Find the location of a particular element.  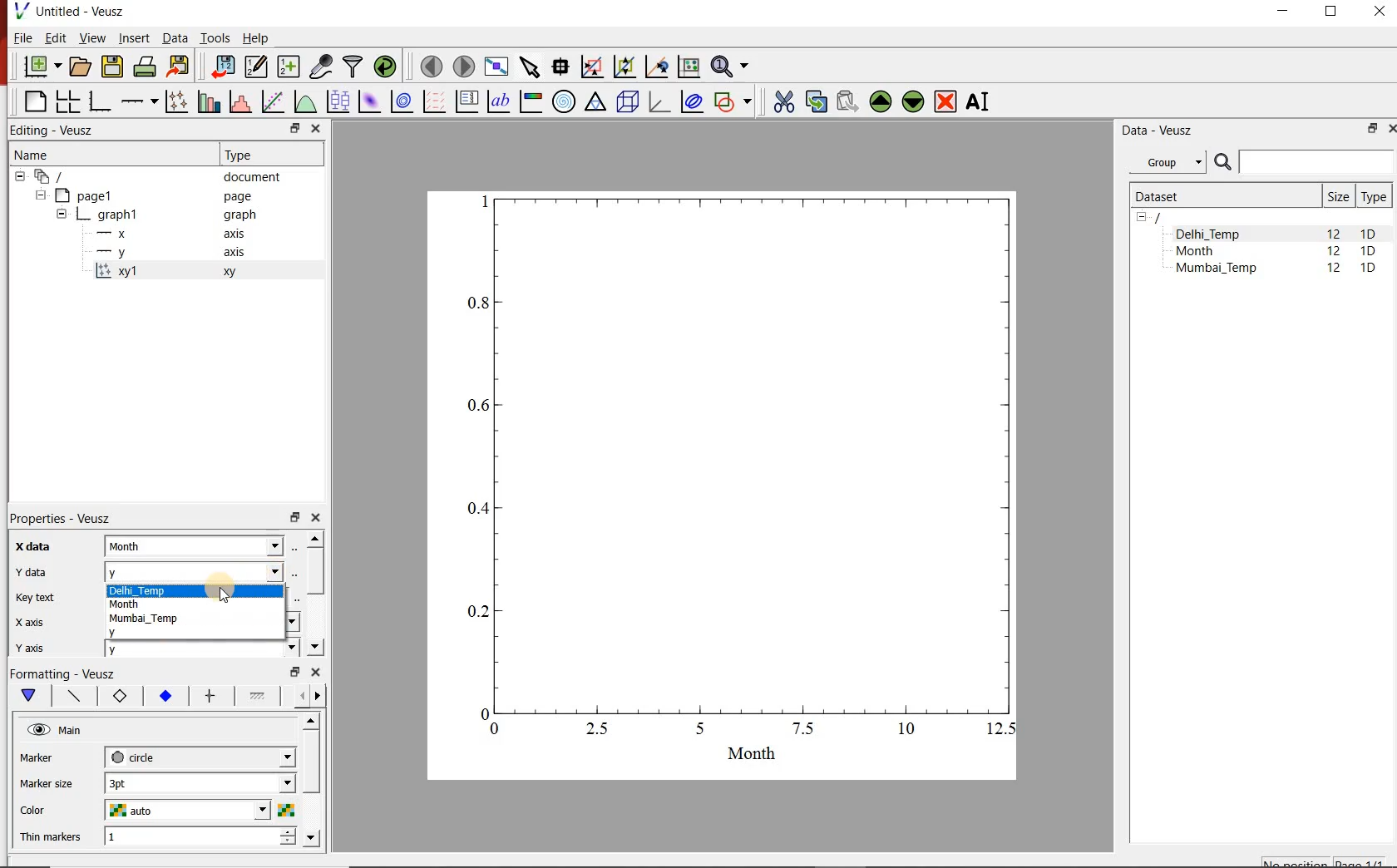

MINIMIZE is located at coordinates (1284, 12).